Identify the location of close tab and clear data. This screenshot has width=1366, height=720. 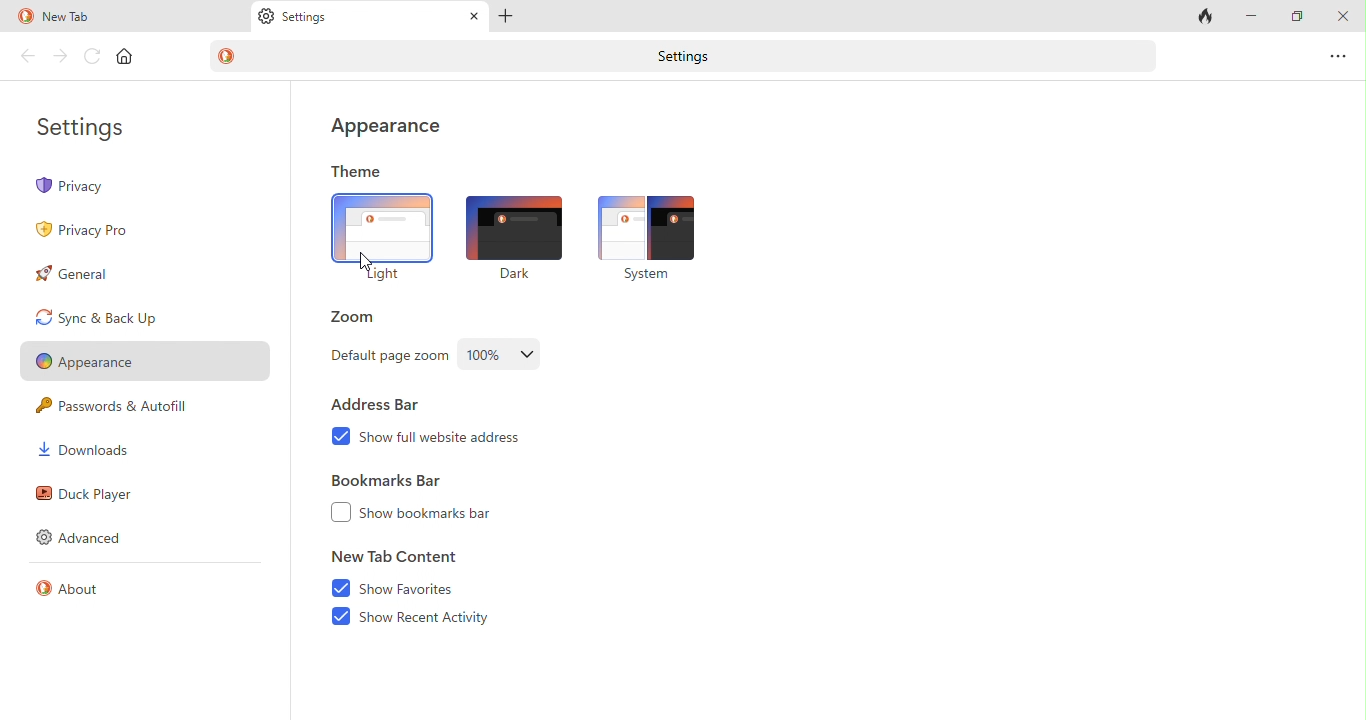
(1205, 16).